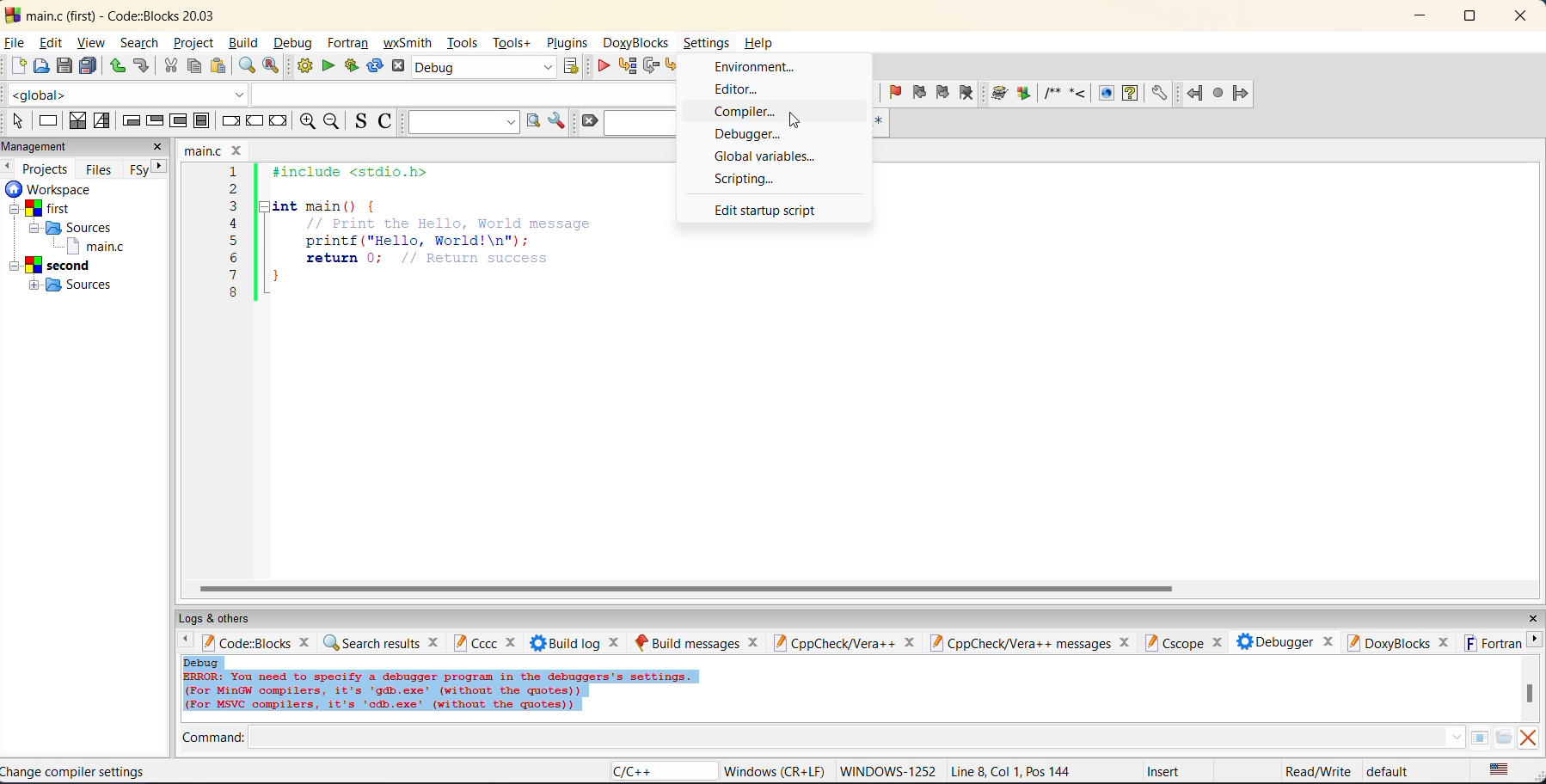  Describe the element at coordinates (965, 94) in the screenshot. I see `clear bookmark` at that location.